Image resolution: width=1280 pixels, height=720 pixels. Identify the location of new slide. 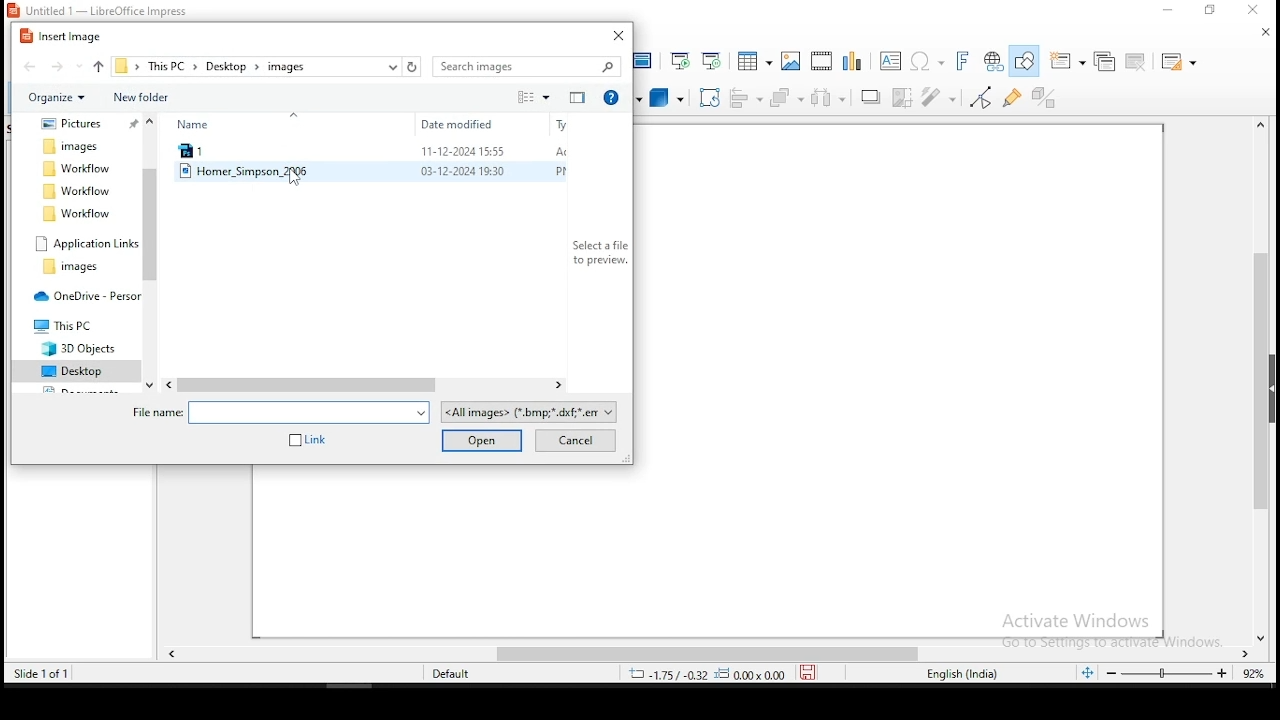
(1069, 62).